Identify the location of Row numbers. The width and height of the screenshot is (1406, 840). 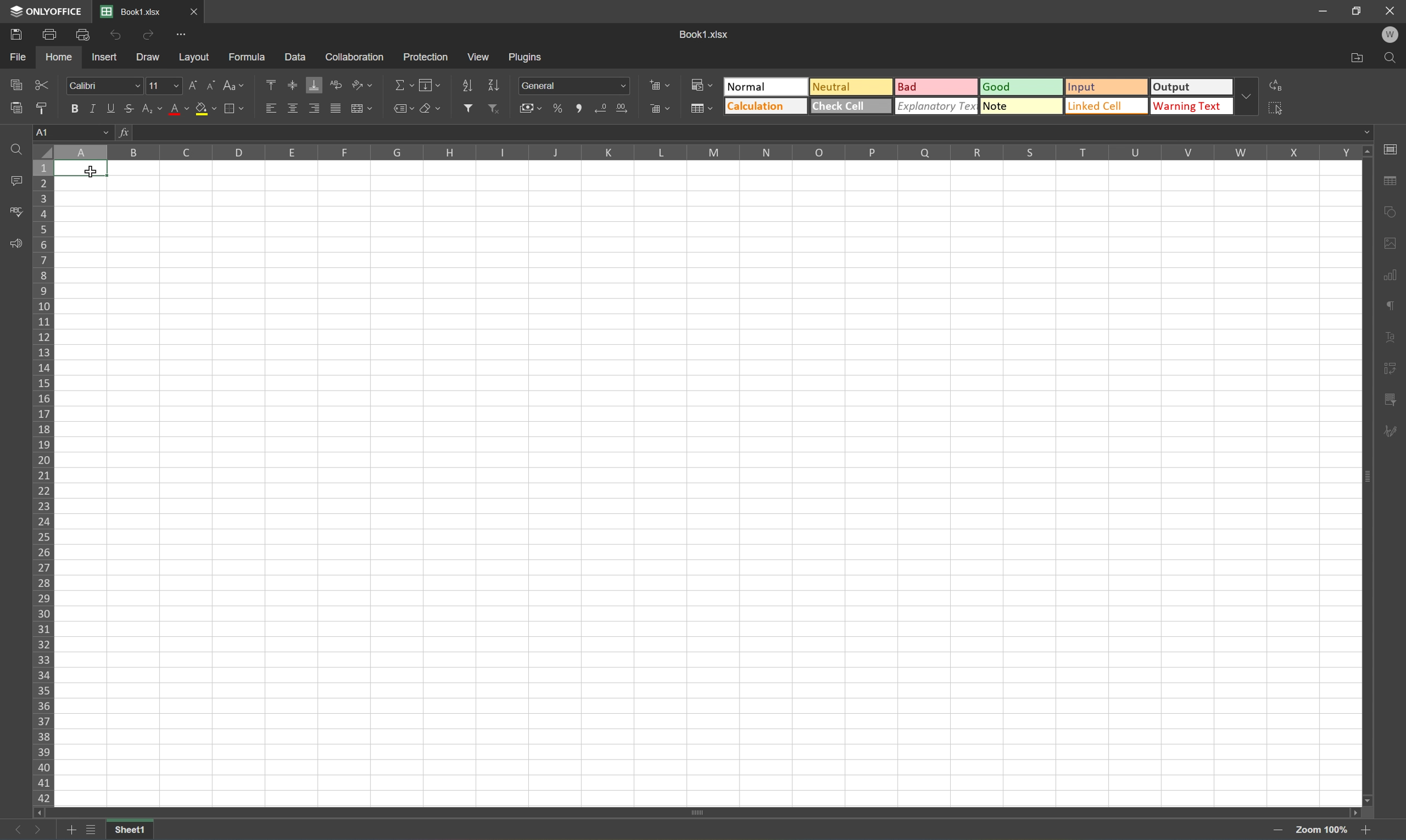
(42, 485).